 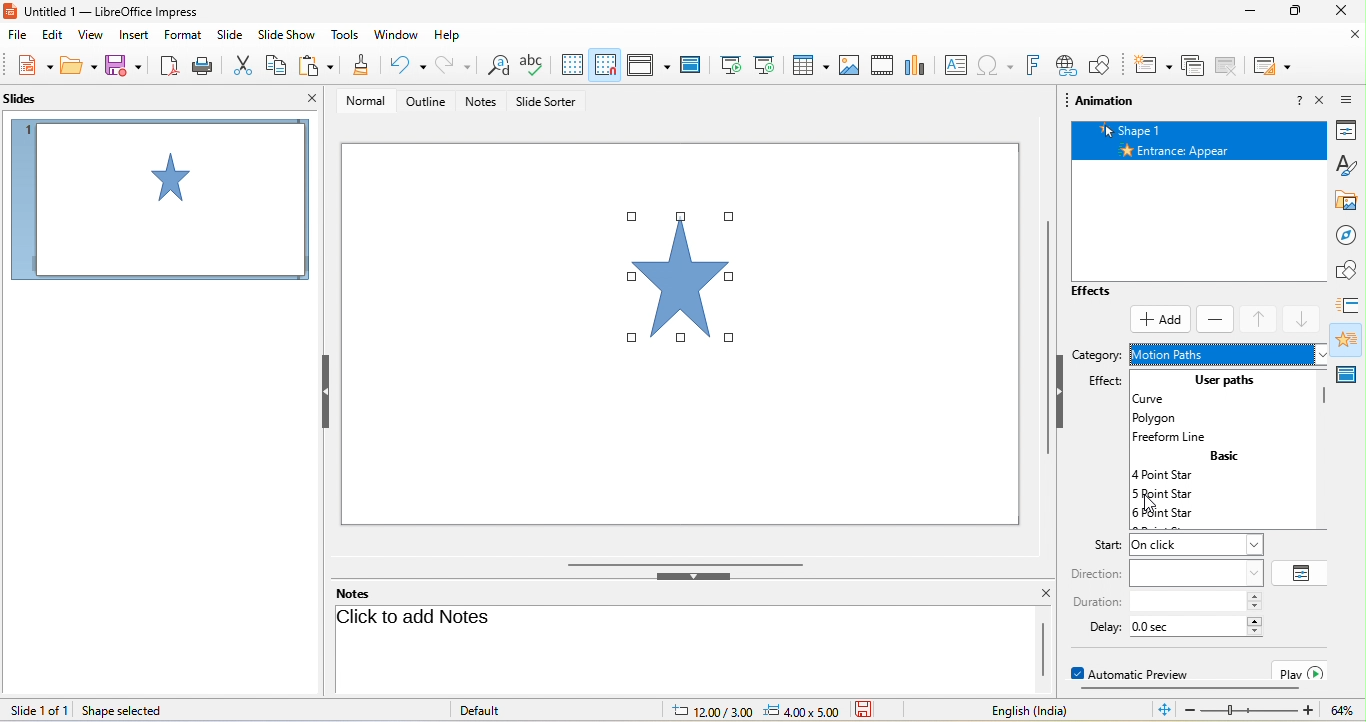 I want to click on image, so click(x=847, y=65).